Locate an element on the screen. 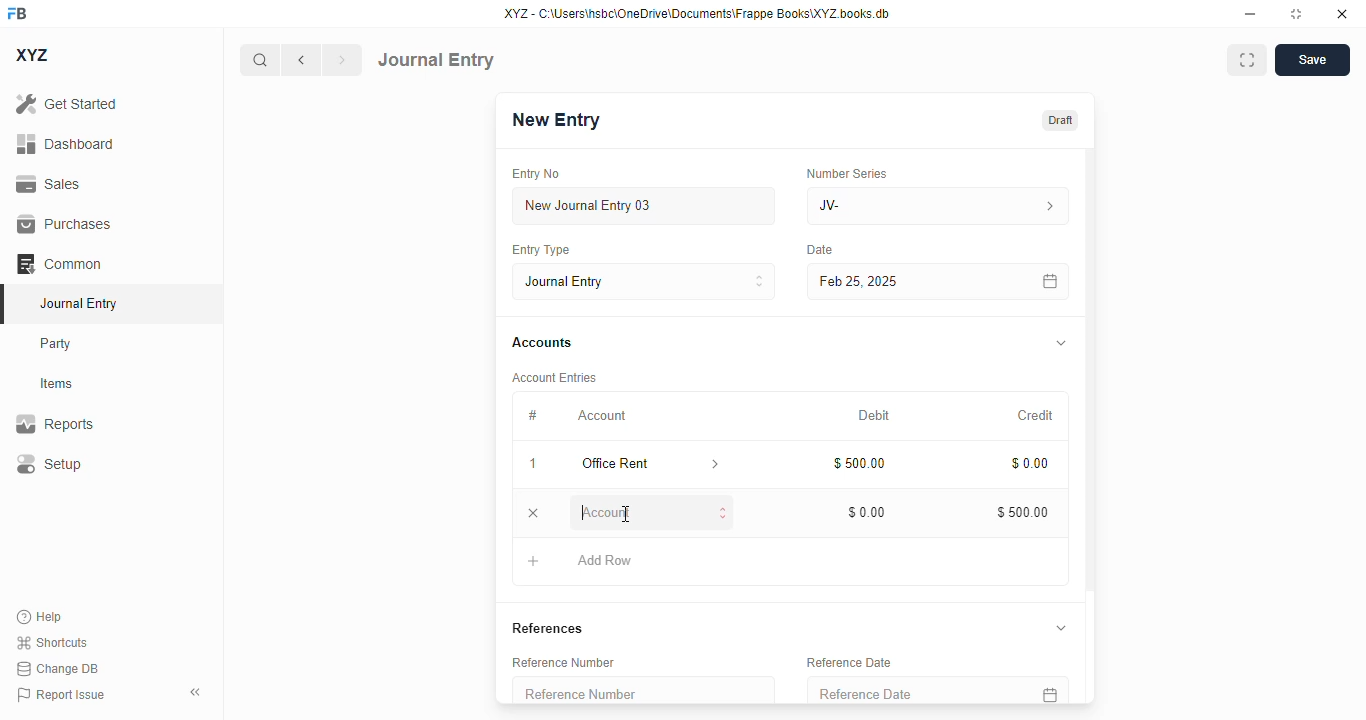 This screenshot has width=1366, height=720. sales is located at coordinates (51, 185).